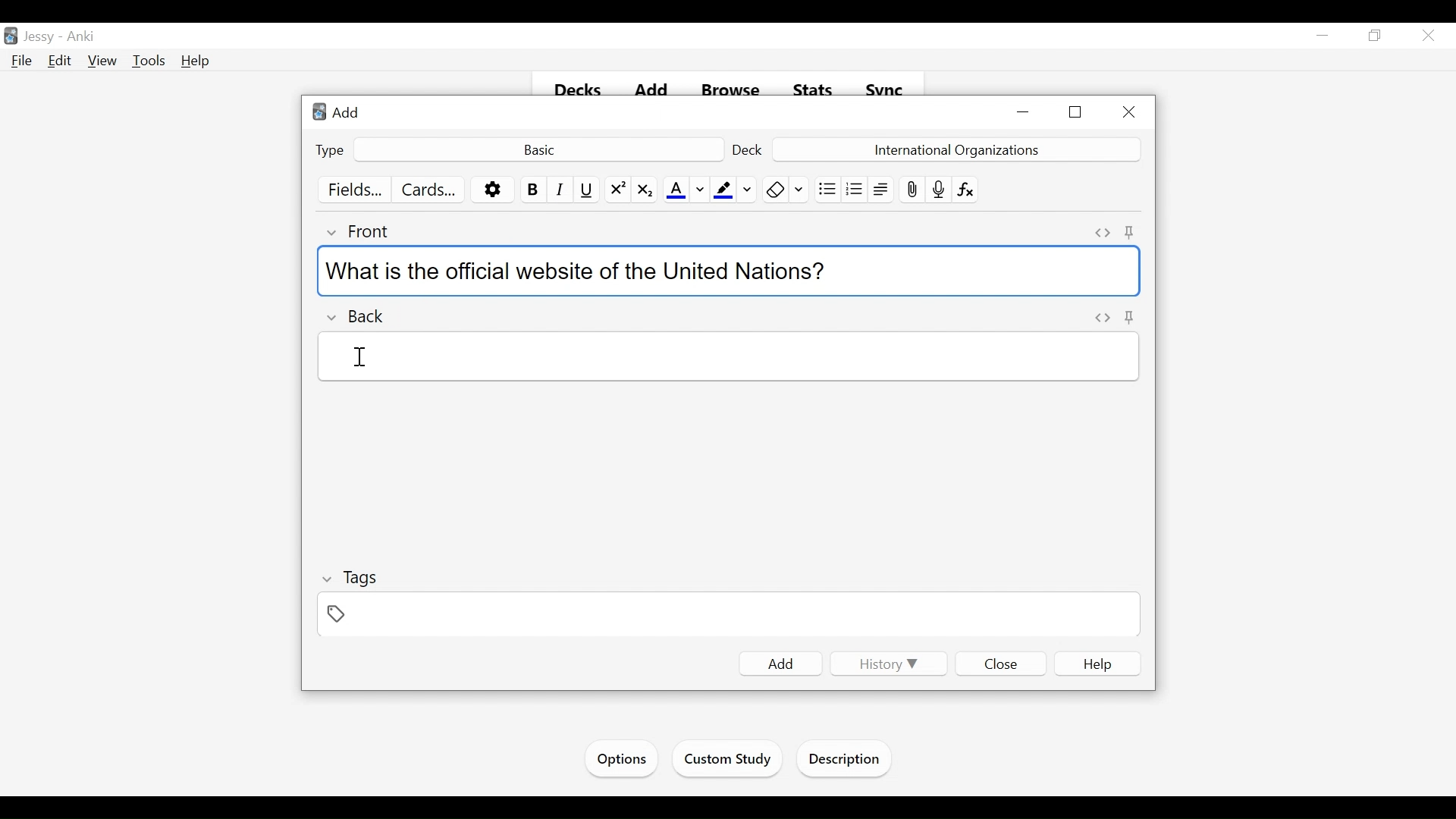 The image size is (1456, 819). What do you see at coordinates (826, 188) in the screenshot?
I see `Unordered list` at bounding box center [826, 188].